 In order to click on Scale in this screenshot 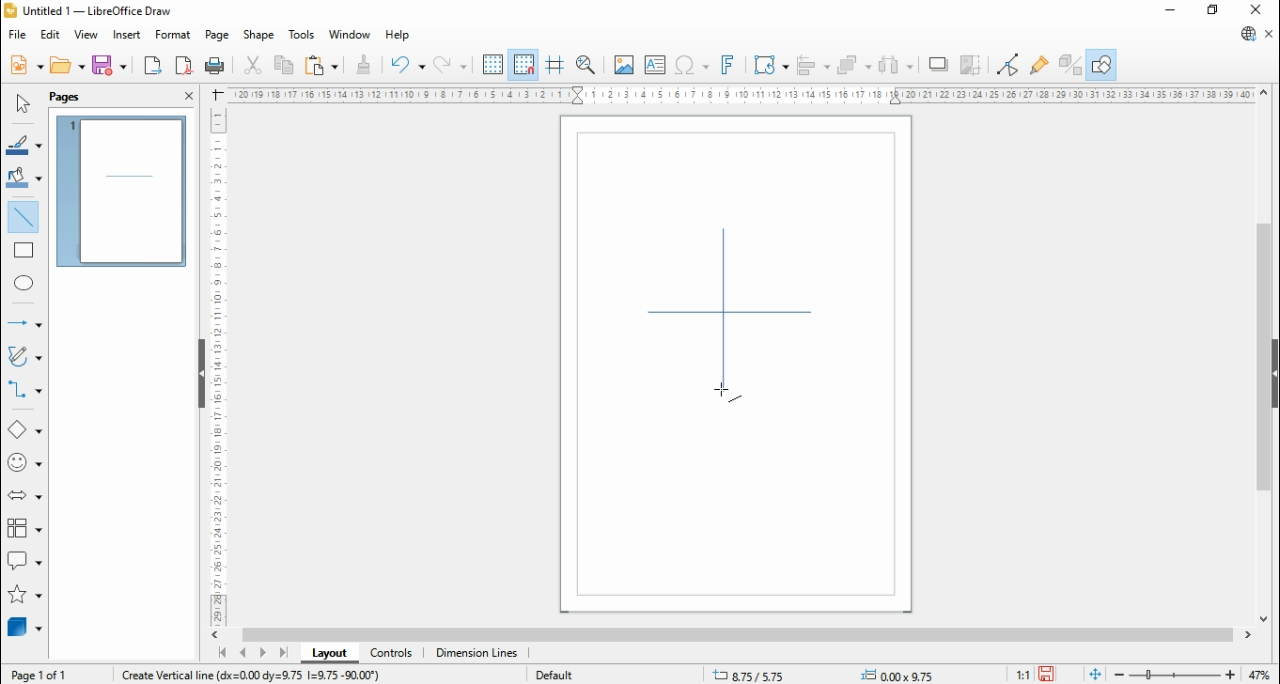, I will do `click(218, 366)`.